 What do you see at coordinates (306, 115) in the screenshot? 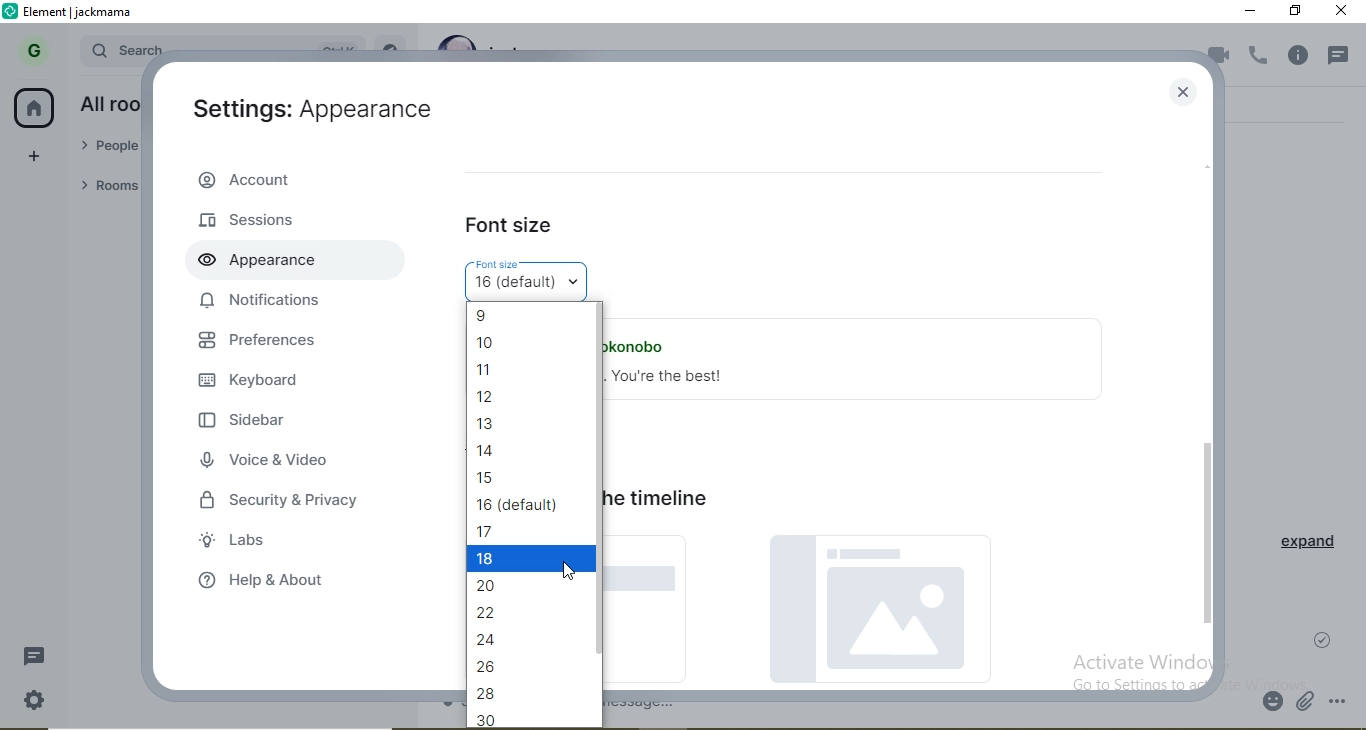
I see `aettings appearance` at bounding box center [306, 115].